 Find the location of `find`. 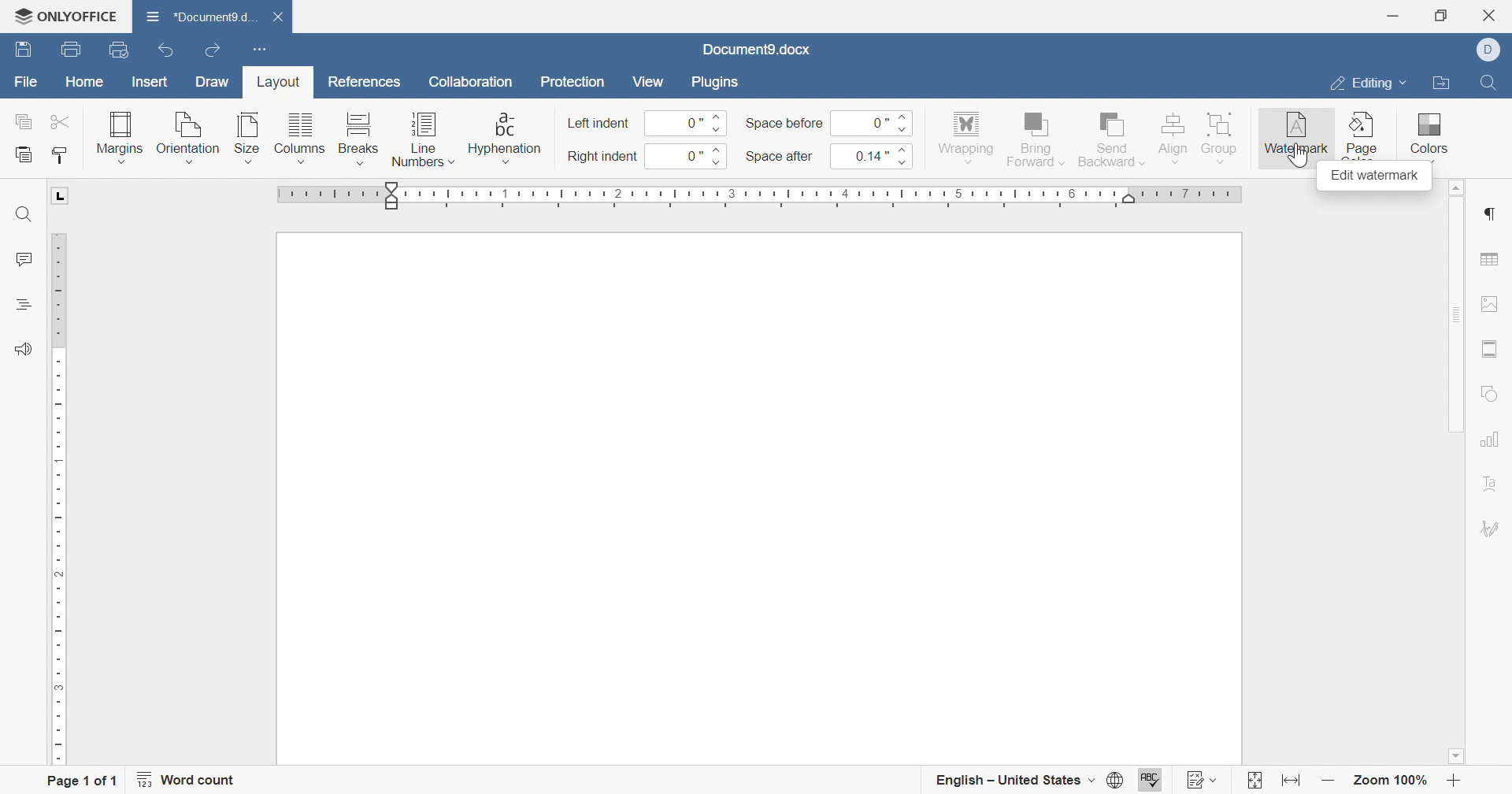

find is located at coordinates (24, 215).